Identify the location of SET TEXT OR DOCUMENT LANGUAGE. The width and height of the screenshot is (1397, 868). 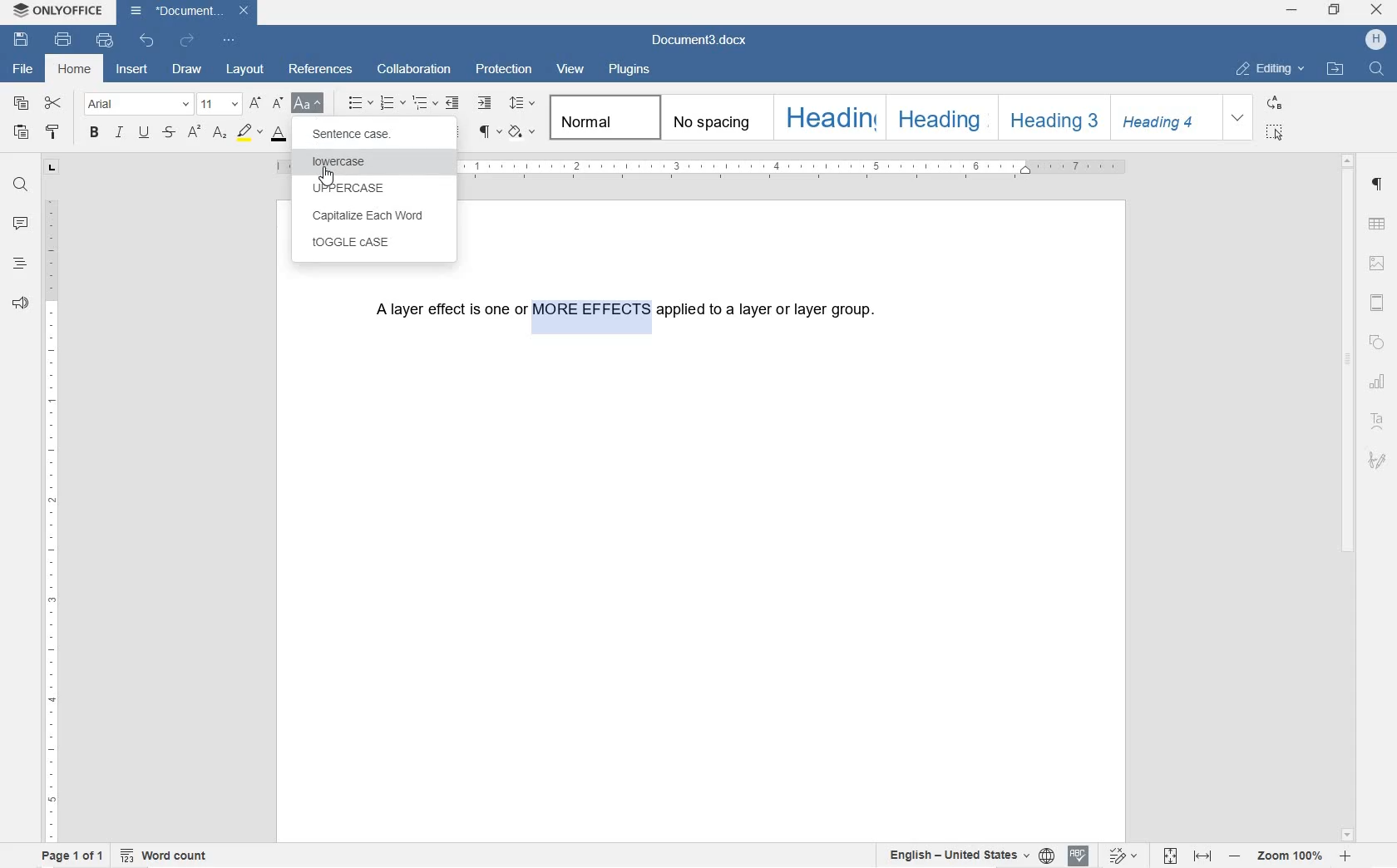
(966, 856).